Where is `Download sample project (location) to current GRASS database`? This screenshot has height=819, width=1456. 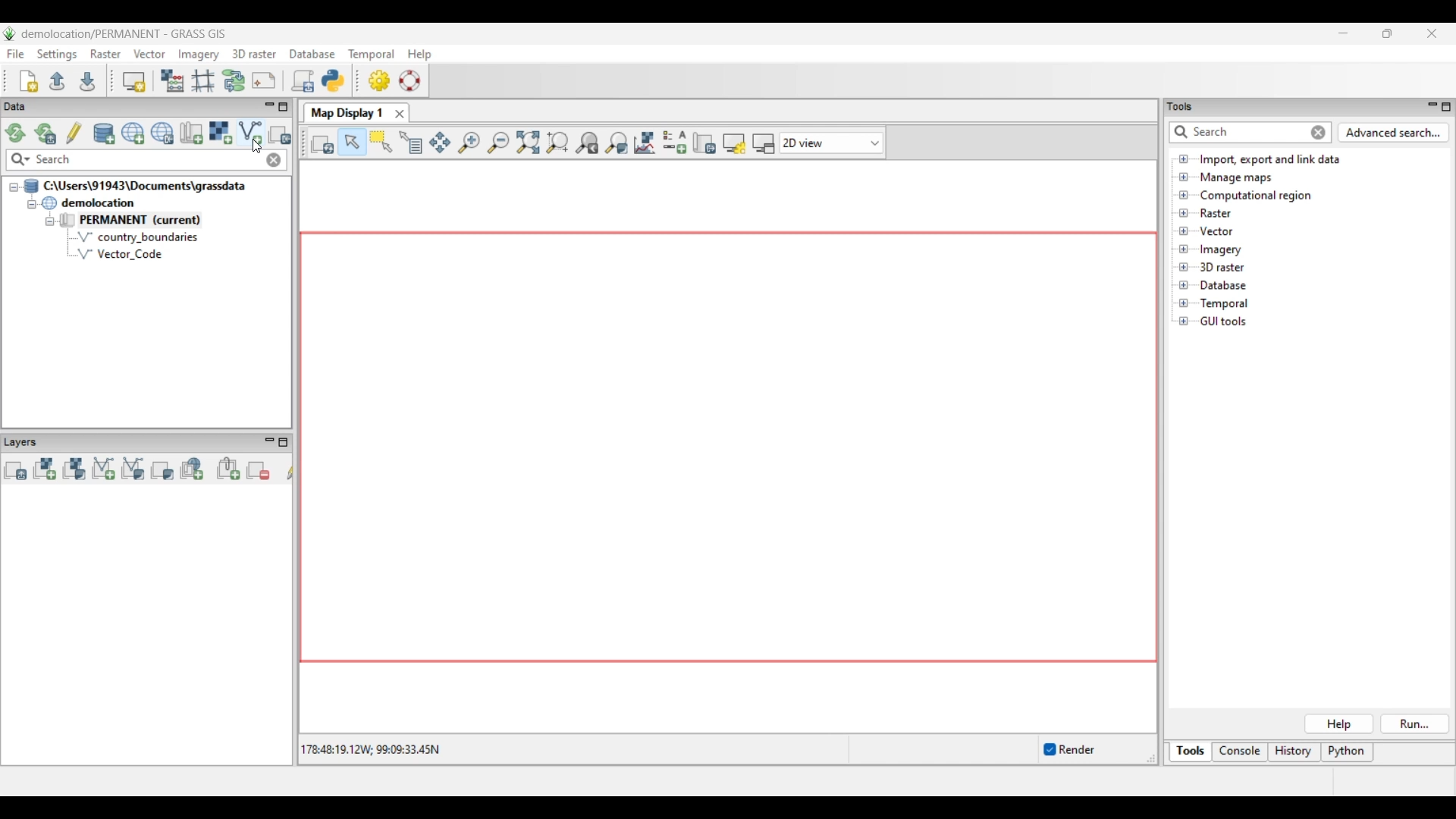
Download sample project (location) to current GRASS database is located at coordinates (161, 133).